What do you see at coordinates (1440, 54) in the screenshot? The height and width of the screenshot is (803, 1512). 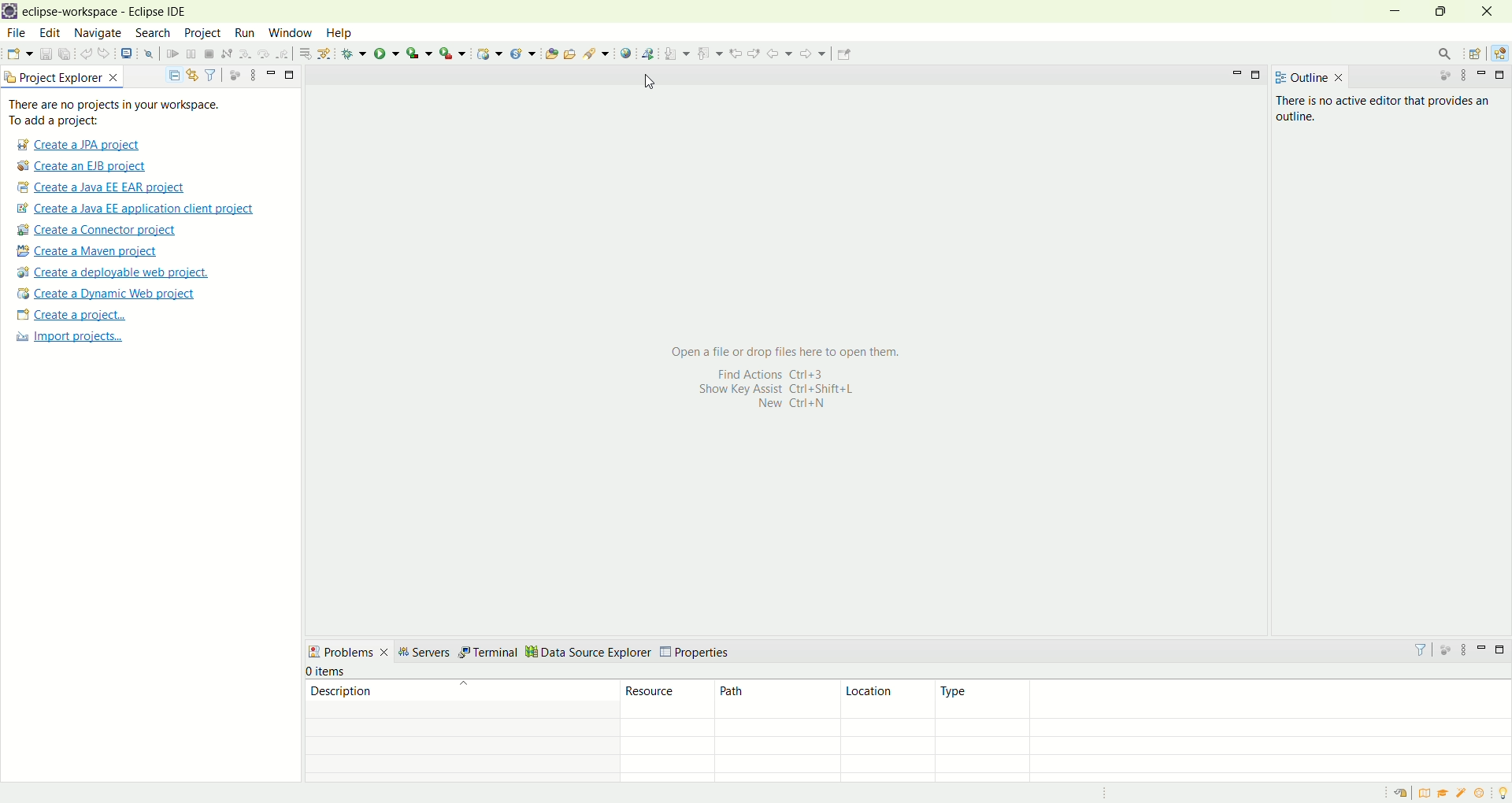 I see `search` at bounding box center [1440, 54].